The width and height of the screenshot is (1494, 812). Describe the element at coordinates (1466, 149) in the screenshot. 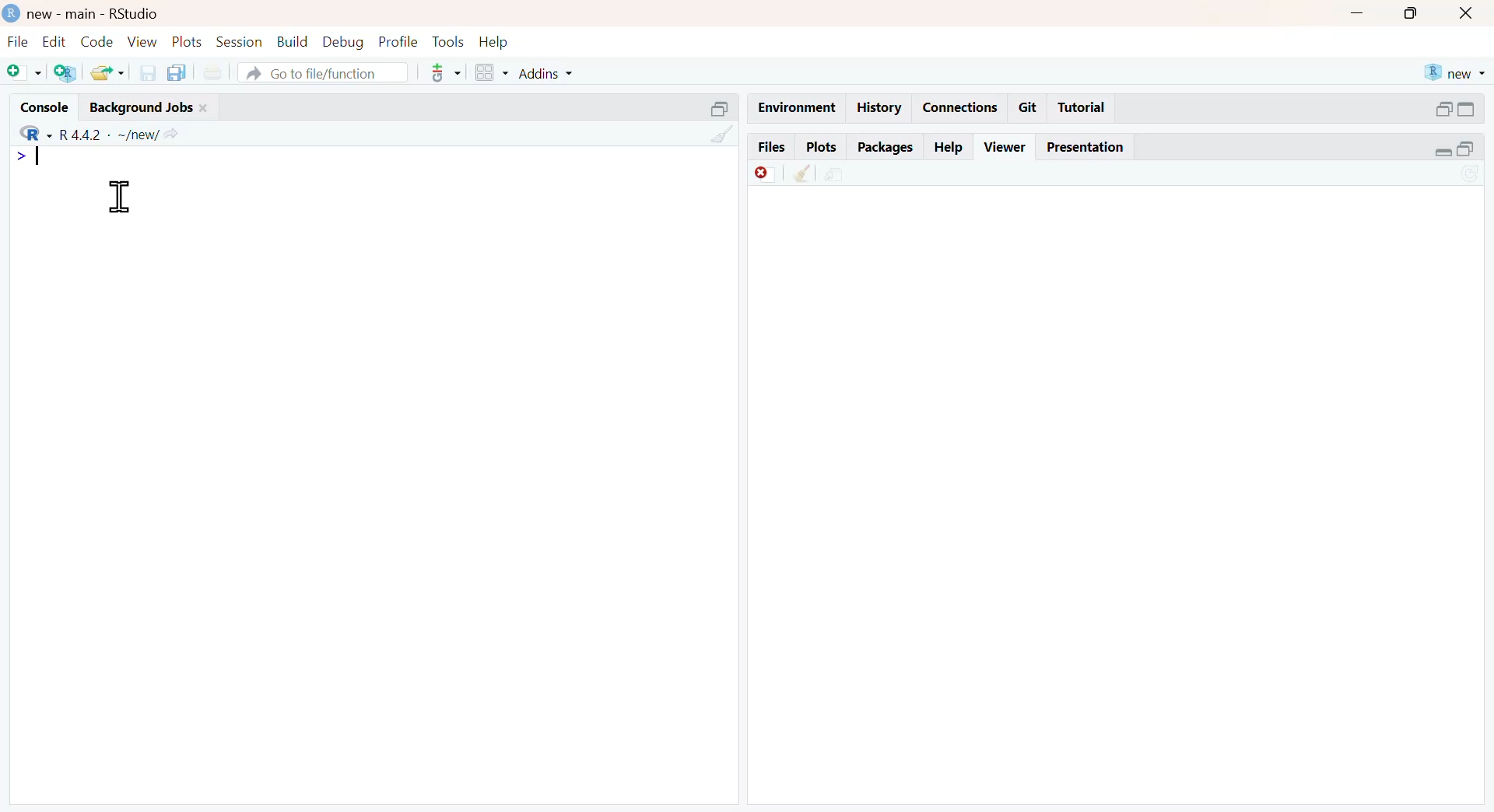

I see `open in separate window` at that location.